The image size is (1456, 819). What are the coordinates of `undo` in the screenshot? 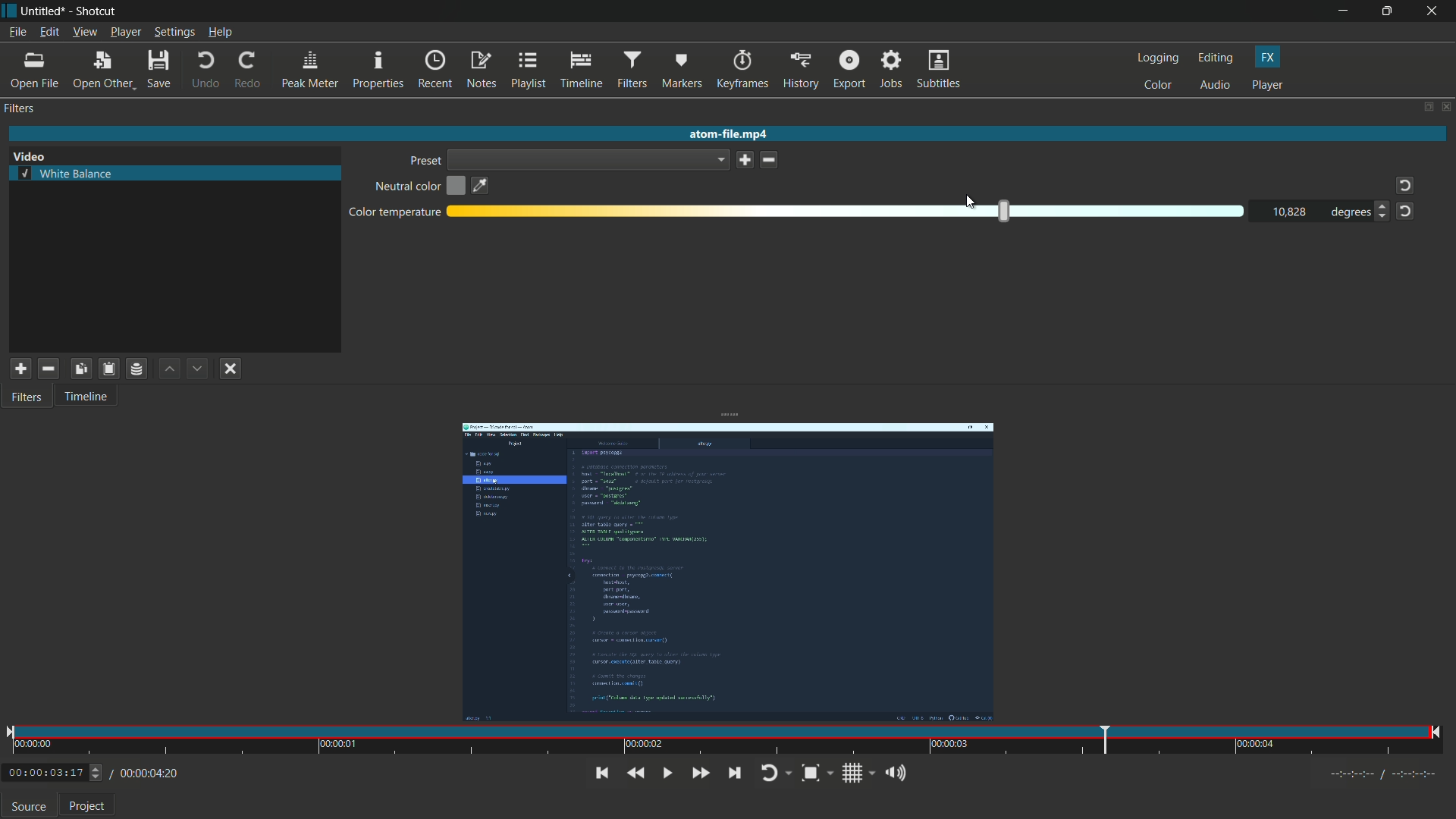 It's located at (204, 69).